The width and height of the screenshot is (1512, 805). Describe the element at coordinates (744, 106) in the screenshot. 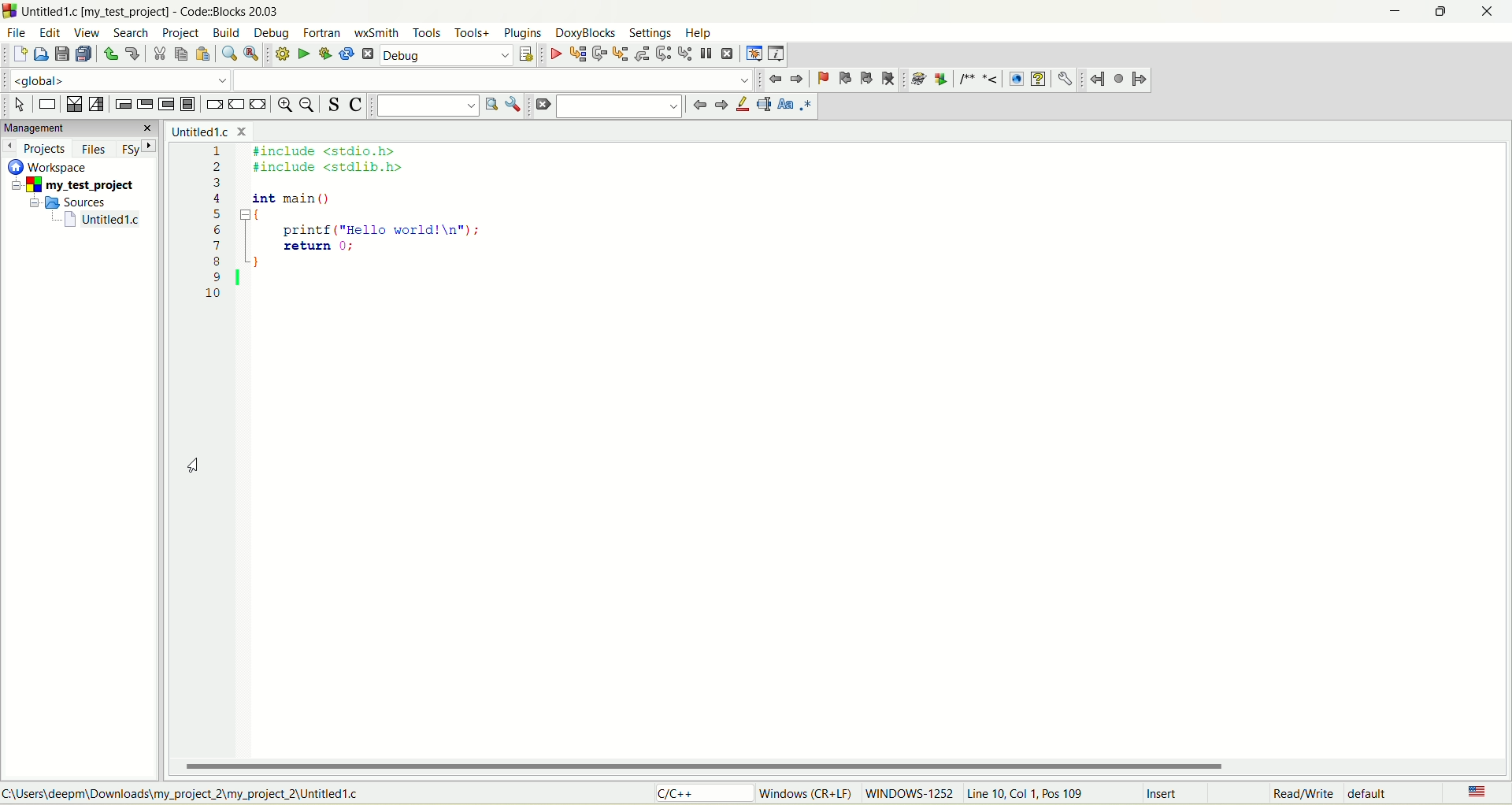

I see `highlight` at that location.